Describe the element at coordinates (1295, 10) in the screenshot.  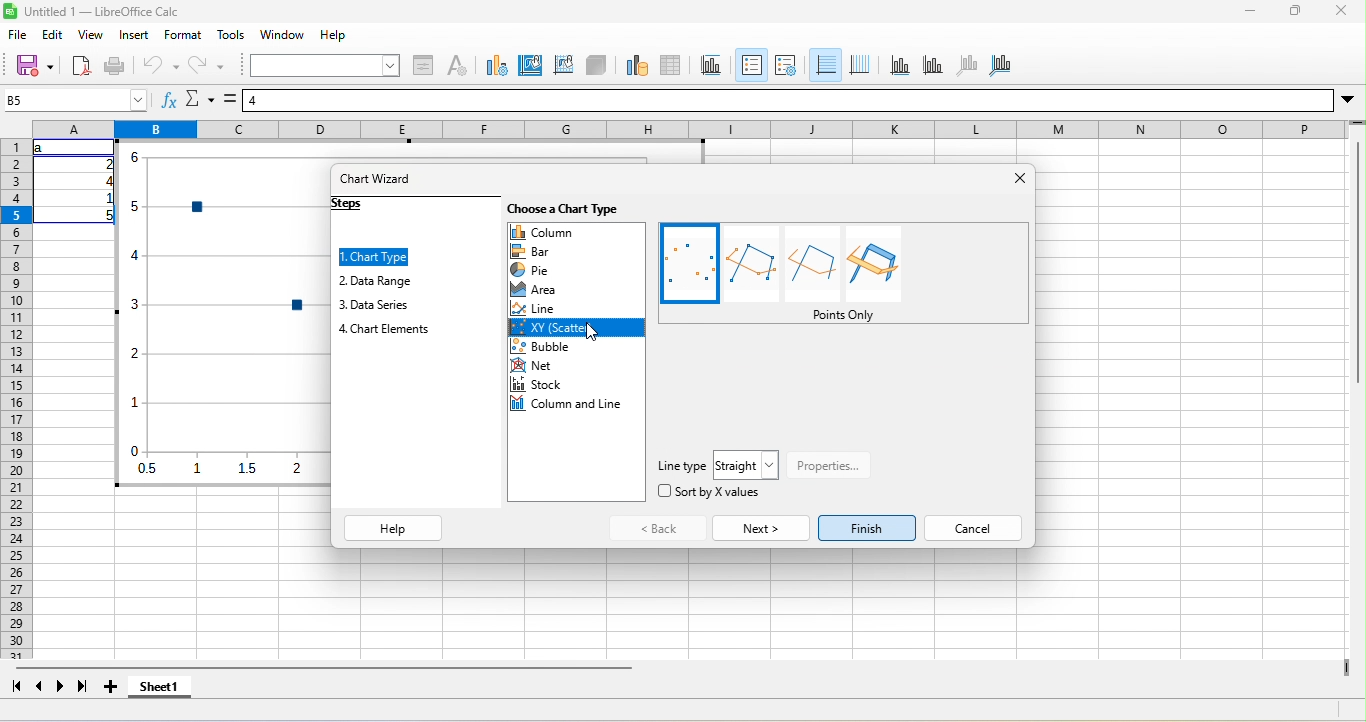
I see `maximize` at that location.